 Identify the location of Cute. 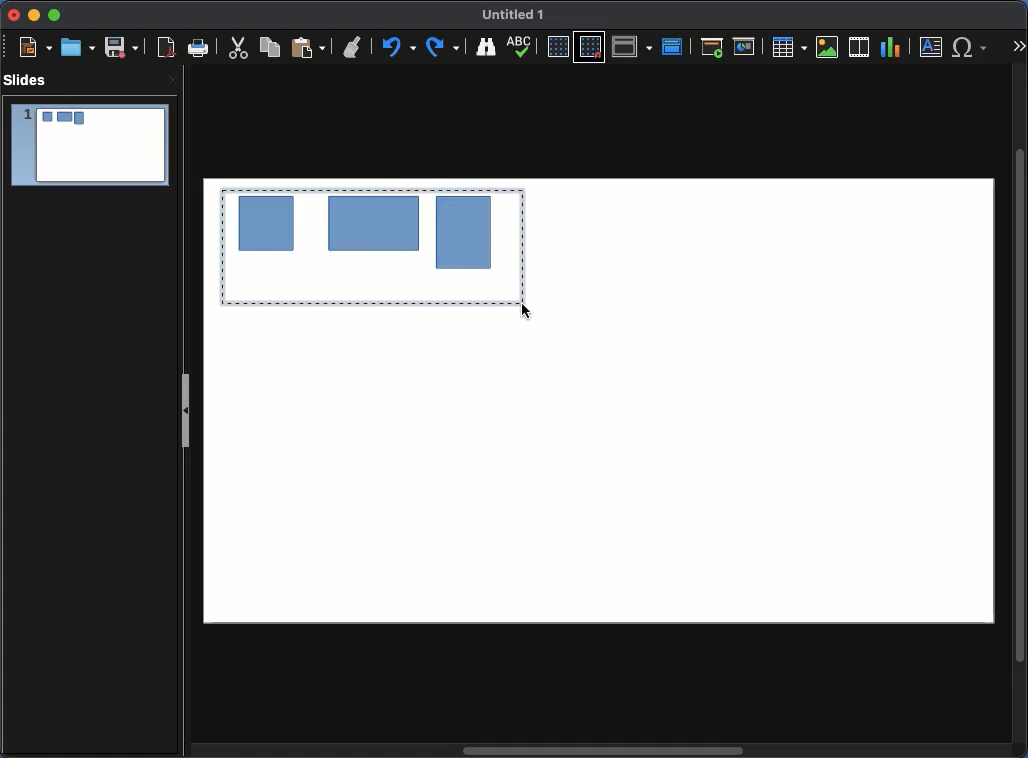
(240, 50).